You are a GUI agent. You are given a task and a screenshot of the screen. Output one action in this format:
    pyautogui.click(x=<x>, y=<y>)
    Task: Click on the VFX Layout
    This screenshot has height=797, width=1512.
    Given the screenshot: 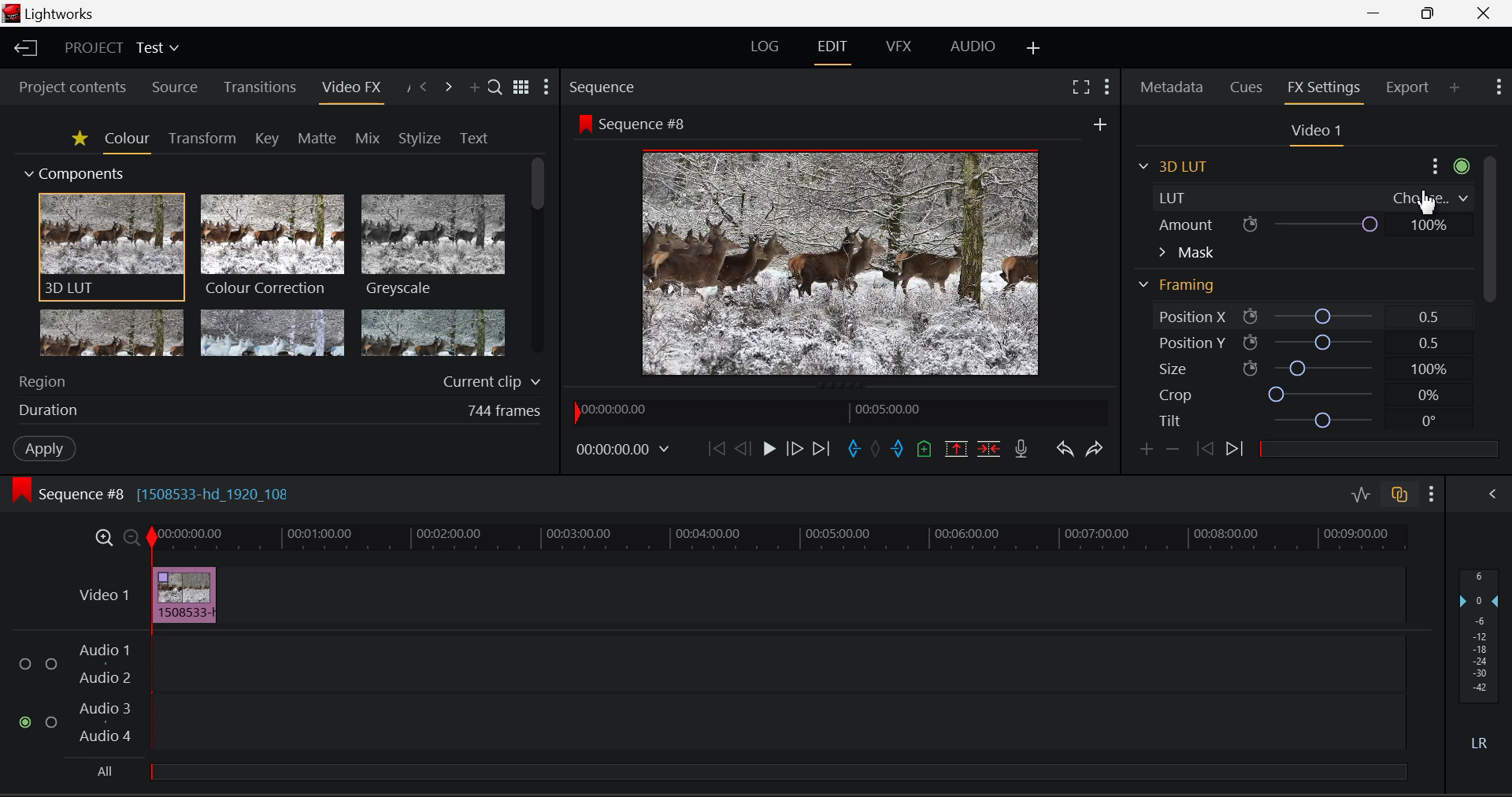 What is the action you would take?
    pyautogui.click(x=901, y=47)
    